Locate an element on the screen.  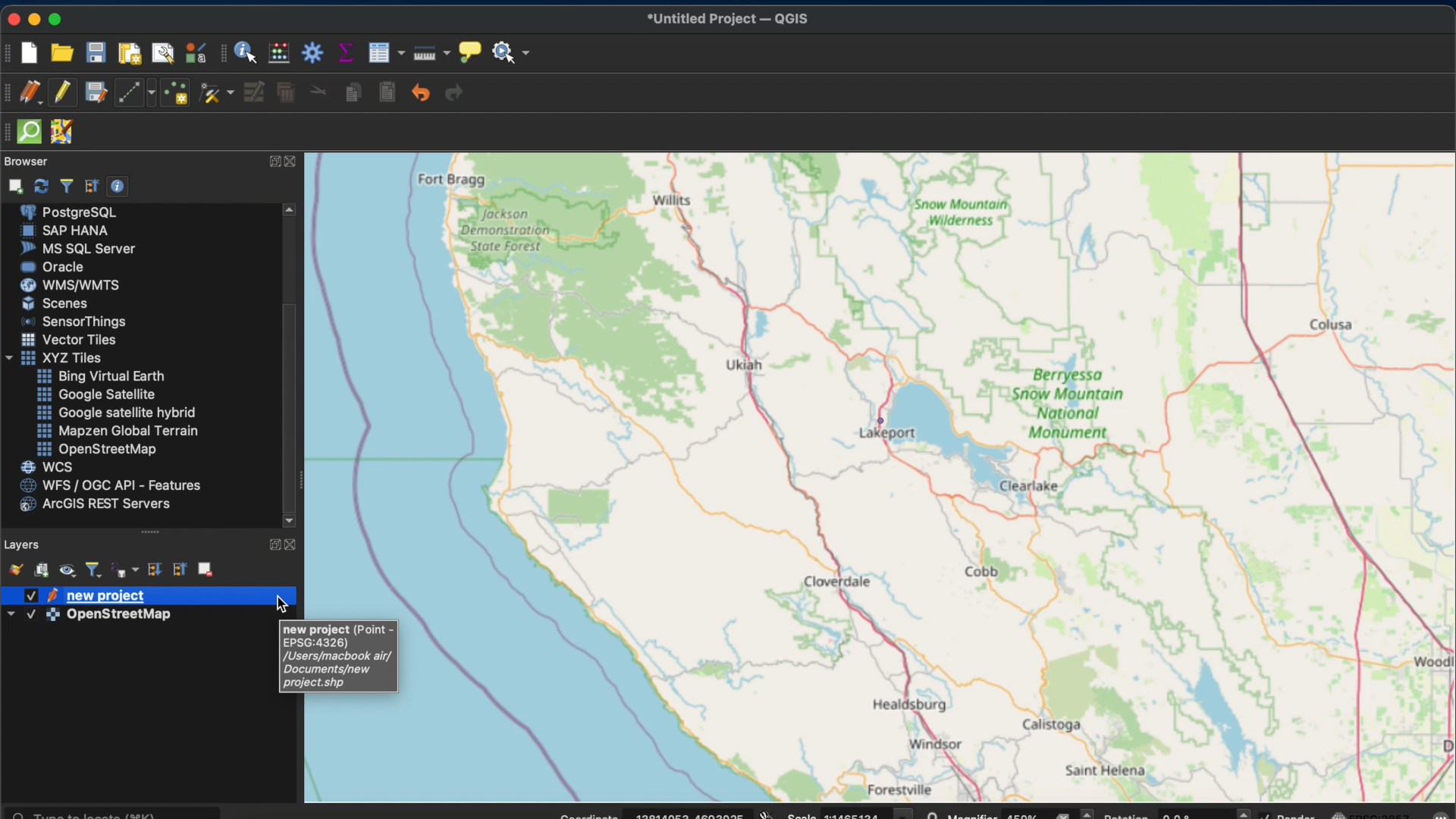
Quick OSM is located at coordinates (30, 132).